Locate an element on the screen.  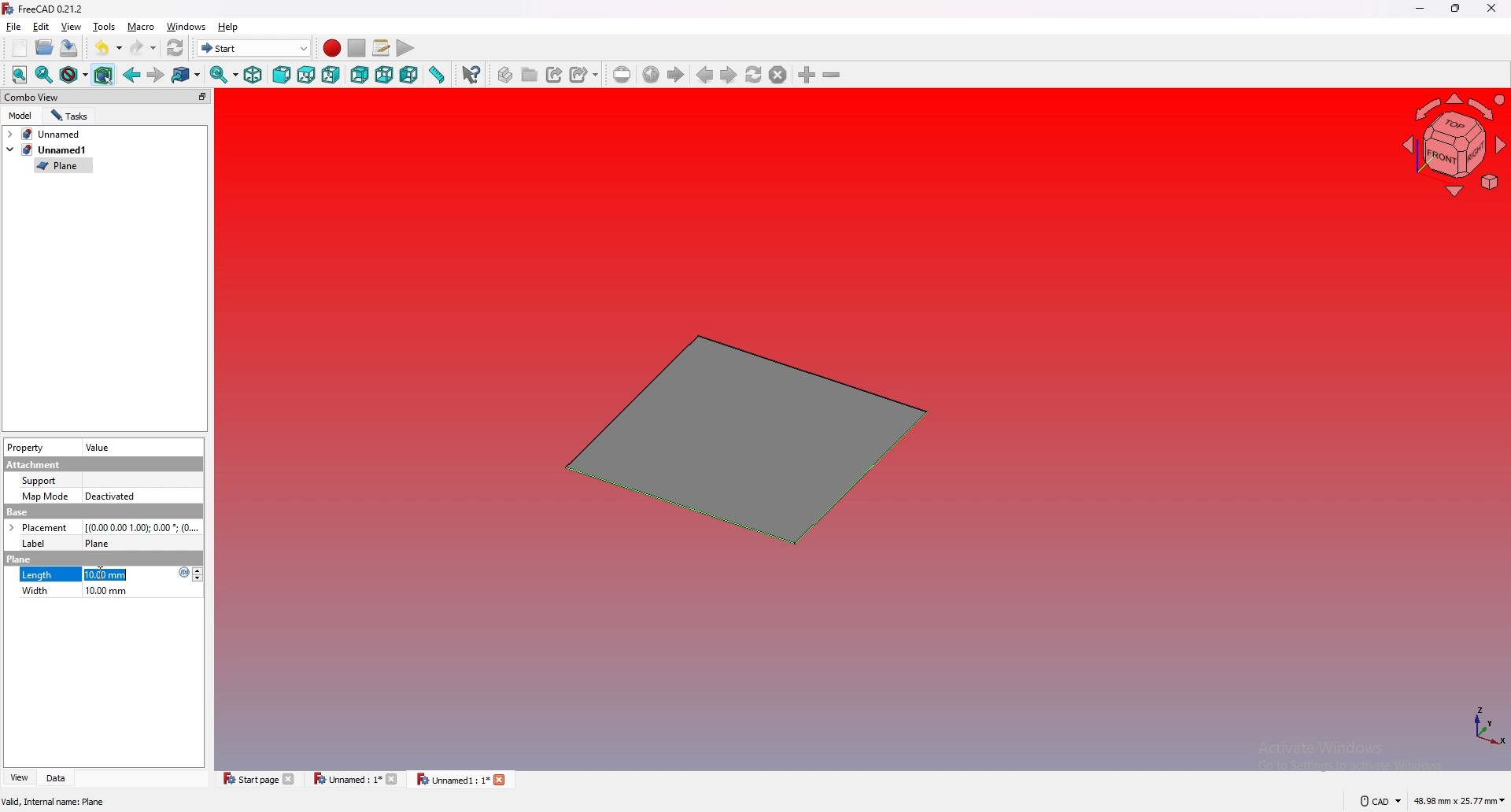
create part is located at coordinates (507, 75).